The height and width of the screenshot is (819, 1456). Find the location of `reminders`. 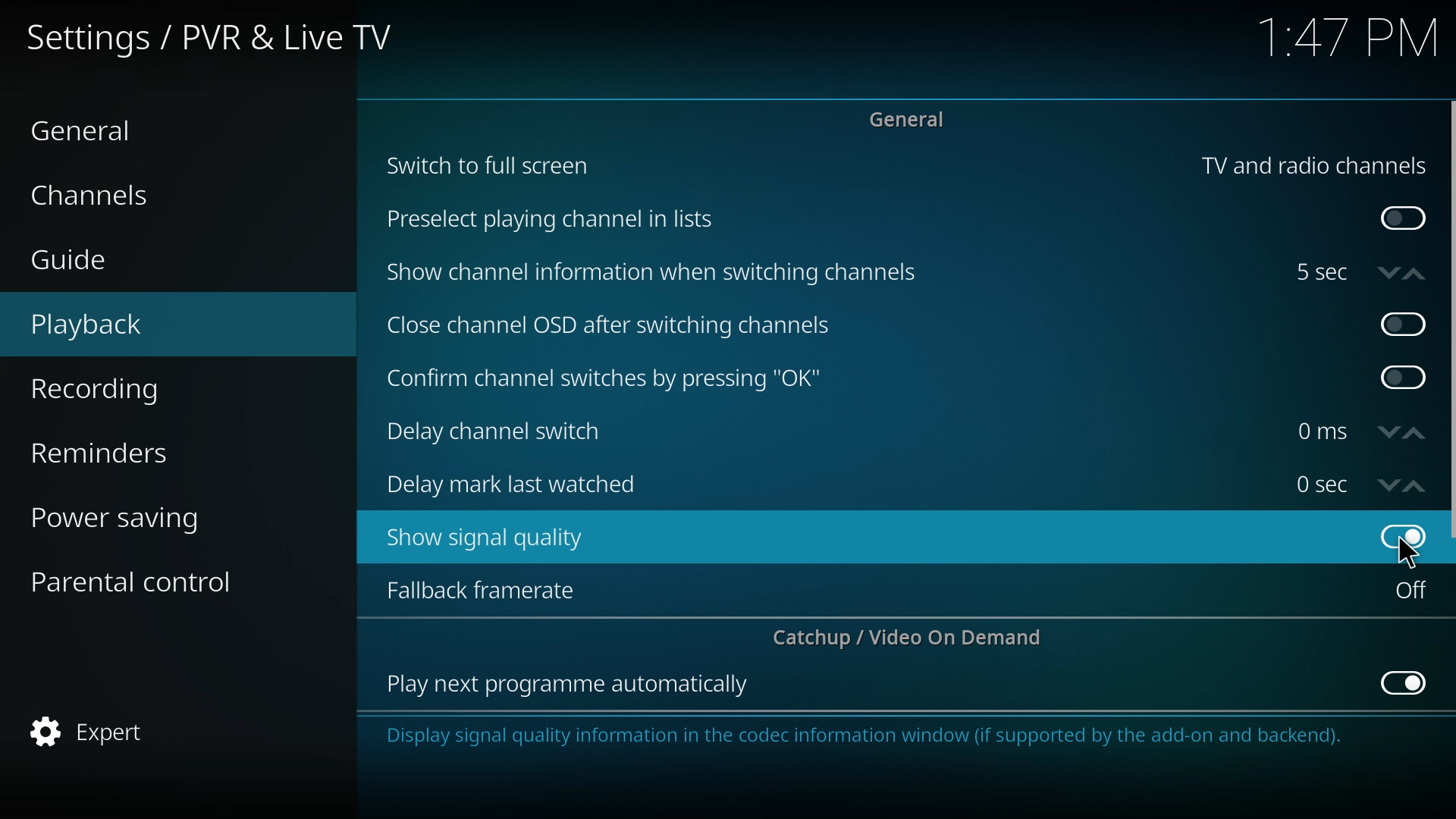

reminders is located at coordinates (136, 450).